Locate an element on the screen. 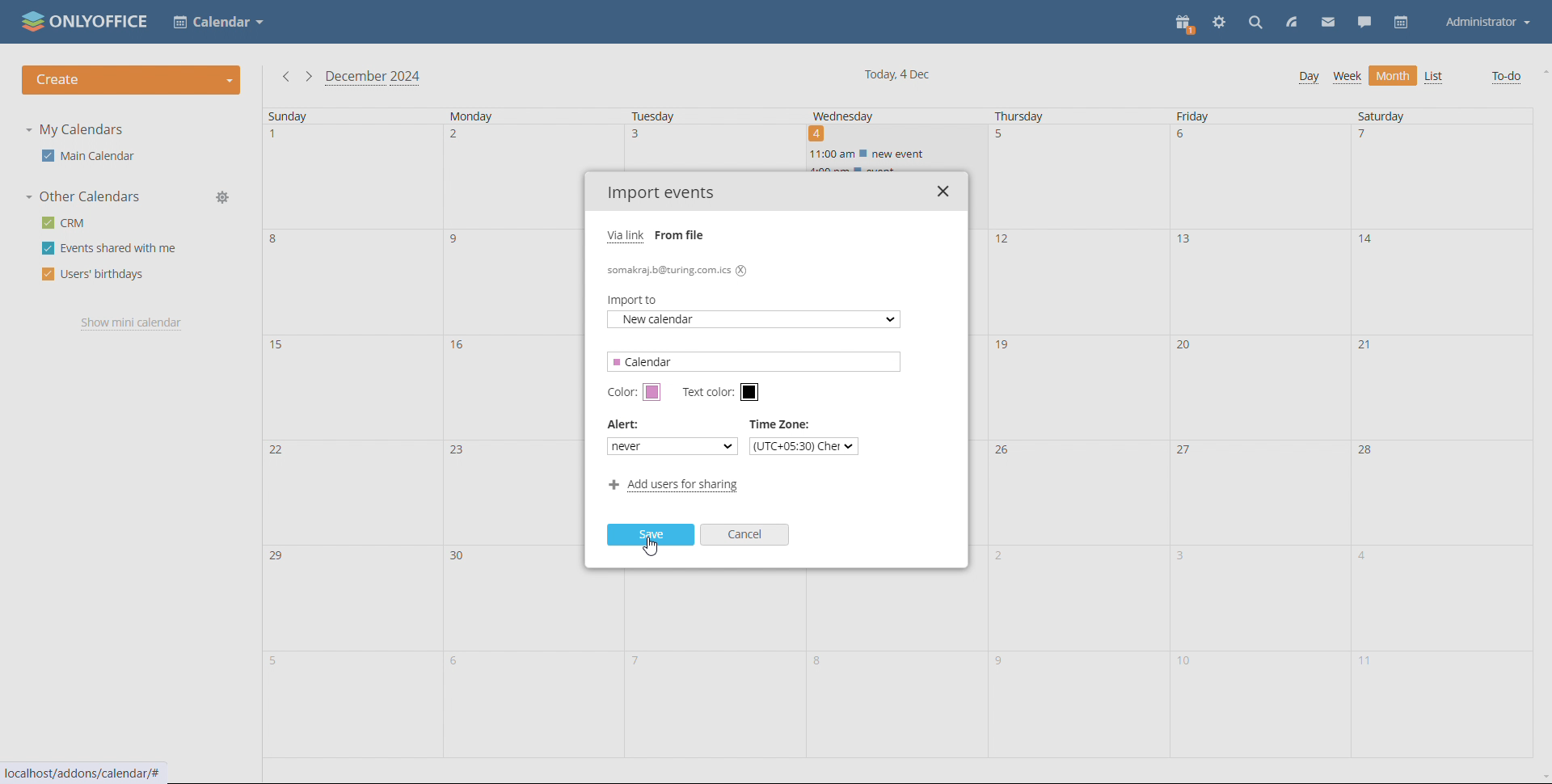 Image resolution: width=1552 pixels, height=784 pixels. new calender is located at coordinates (755, 321).